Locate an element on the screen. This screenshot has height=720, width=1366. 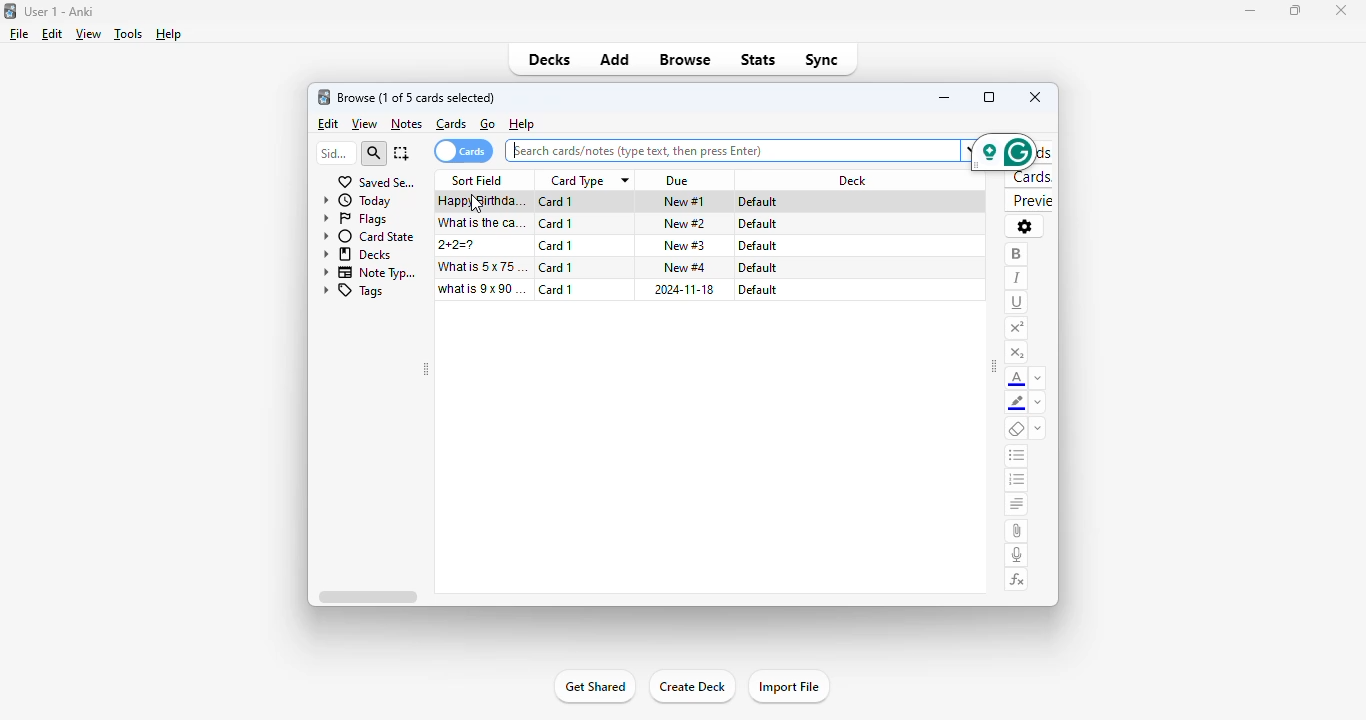
tags is located at coordinates (354, 291).